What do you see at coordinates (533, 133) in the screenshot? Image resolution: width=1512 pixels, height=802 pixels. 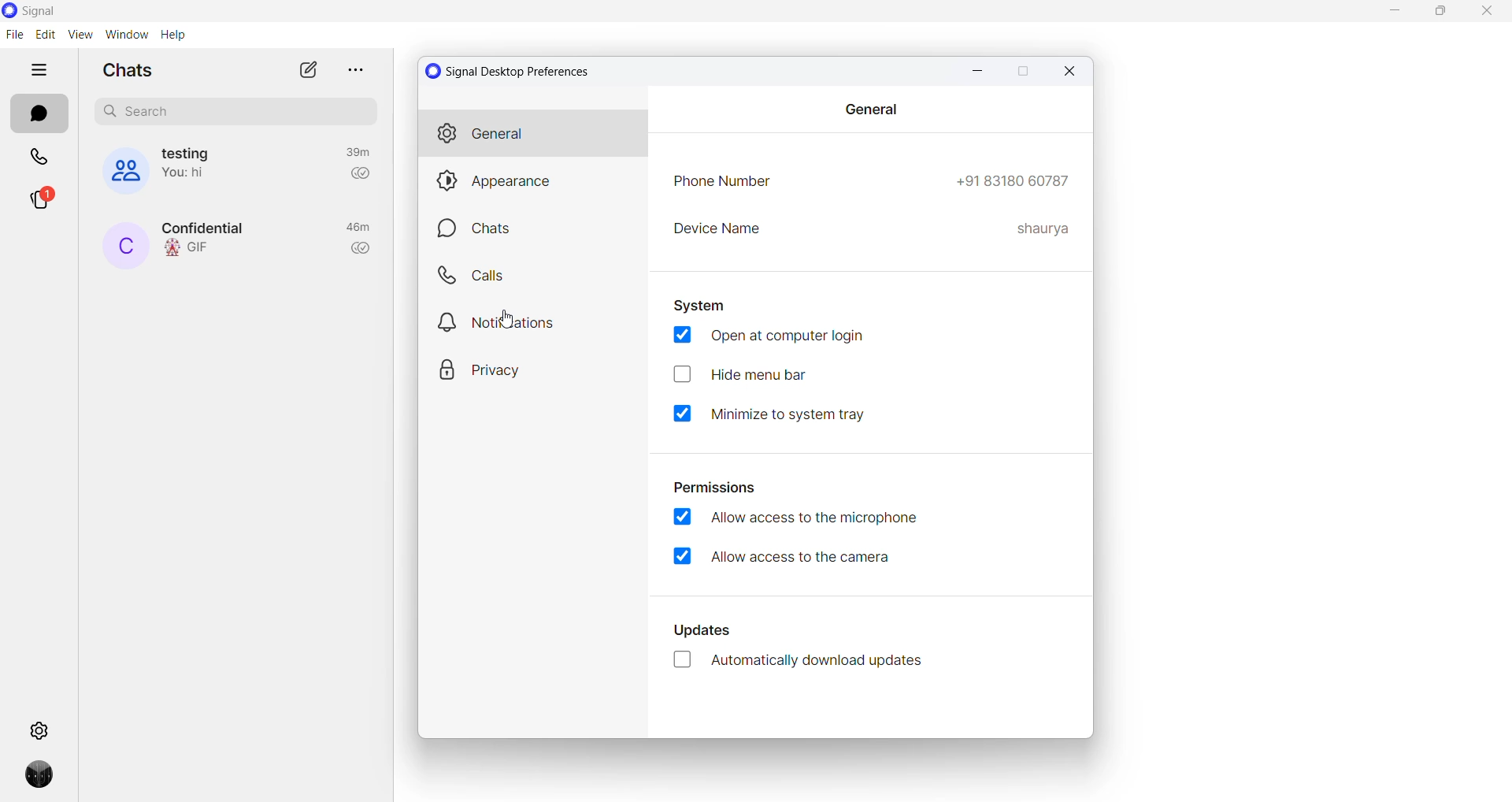 I see `general` at bounding box center [533, 133].